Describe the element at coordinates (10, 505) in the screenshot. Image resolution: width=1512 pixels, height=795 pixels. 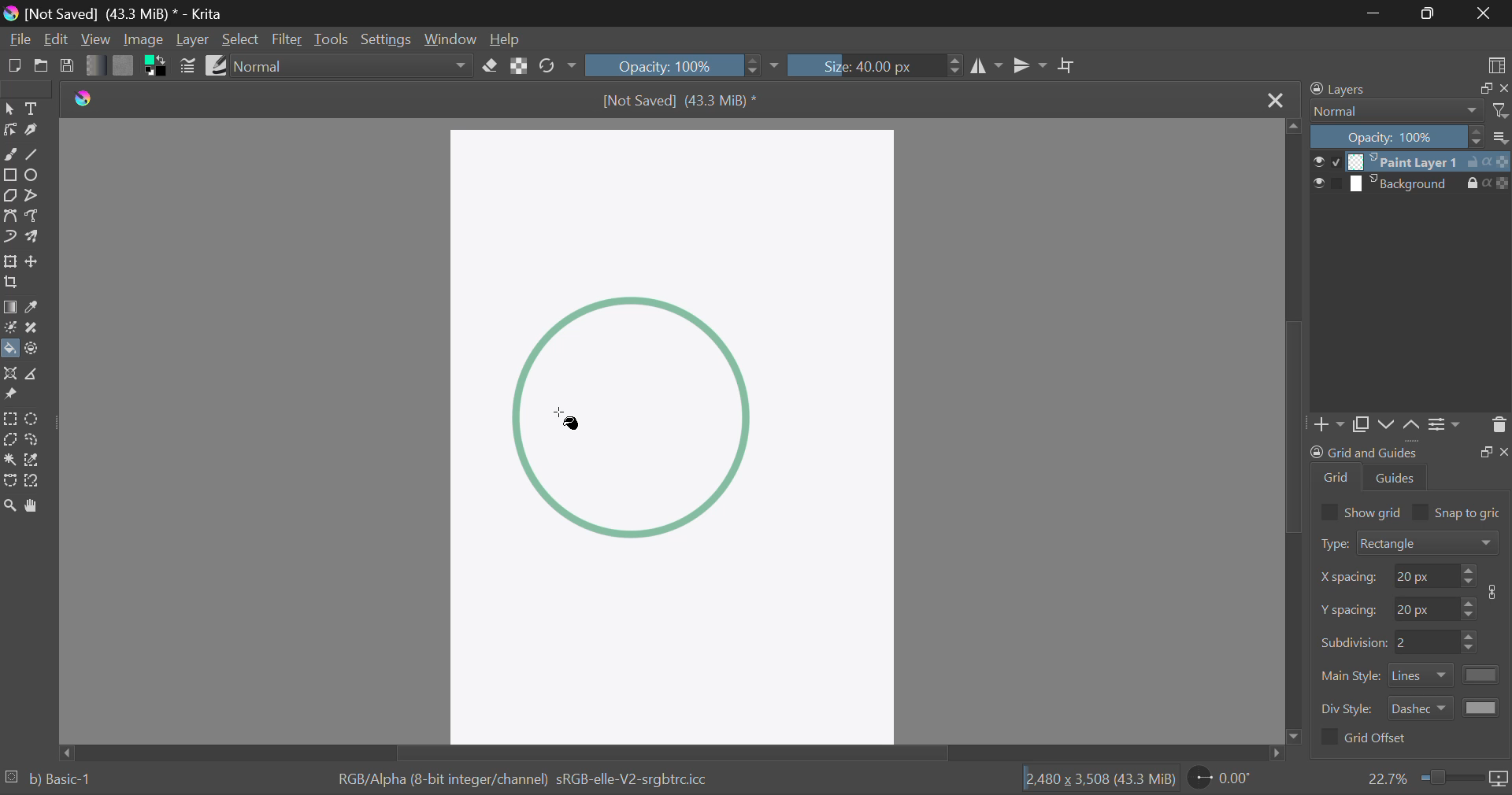
I see `Zoom` at that location.